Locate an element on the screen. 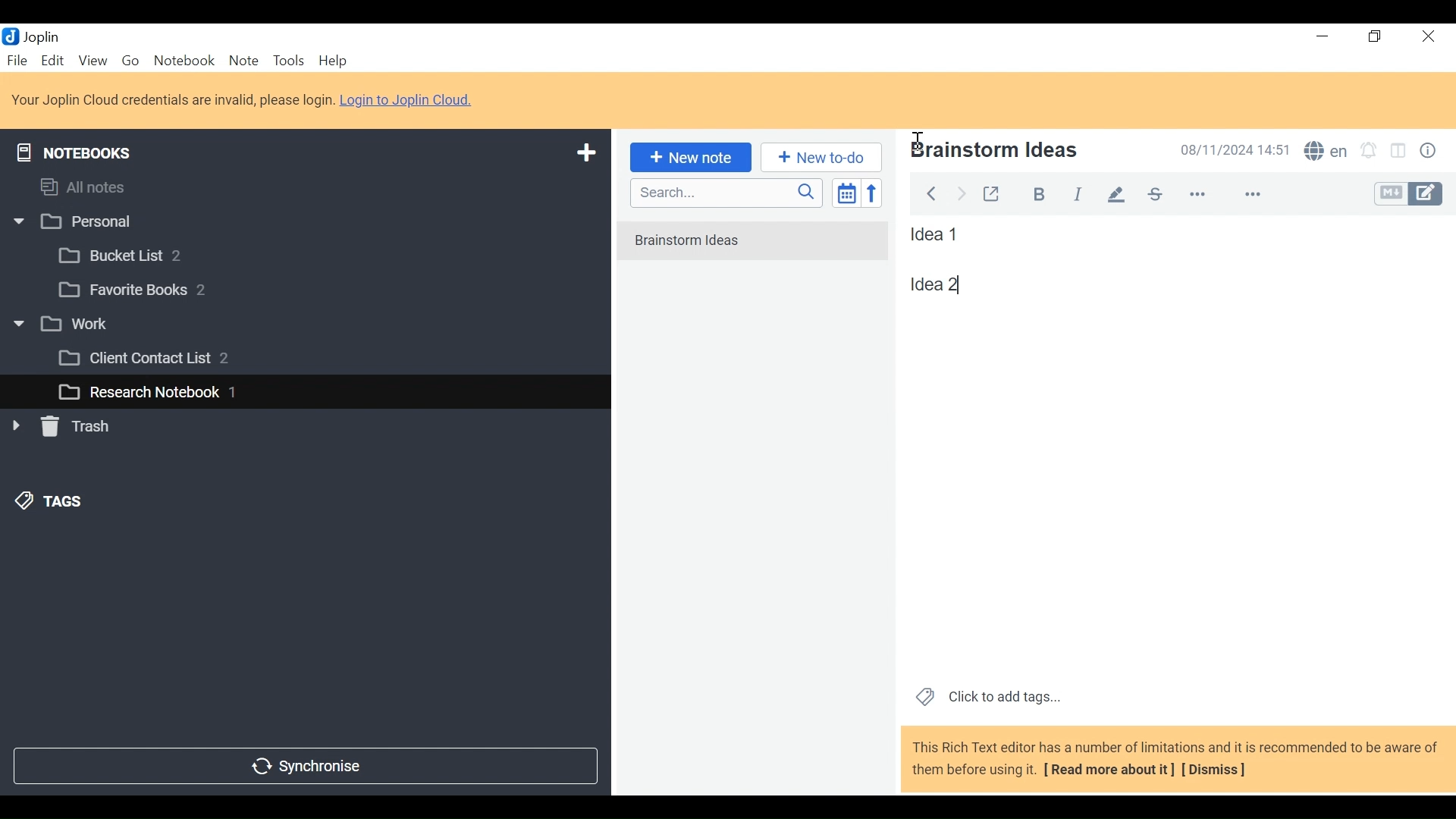  strikethrough is located at coordinates (1154, 193).